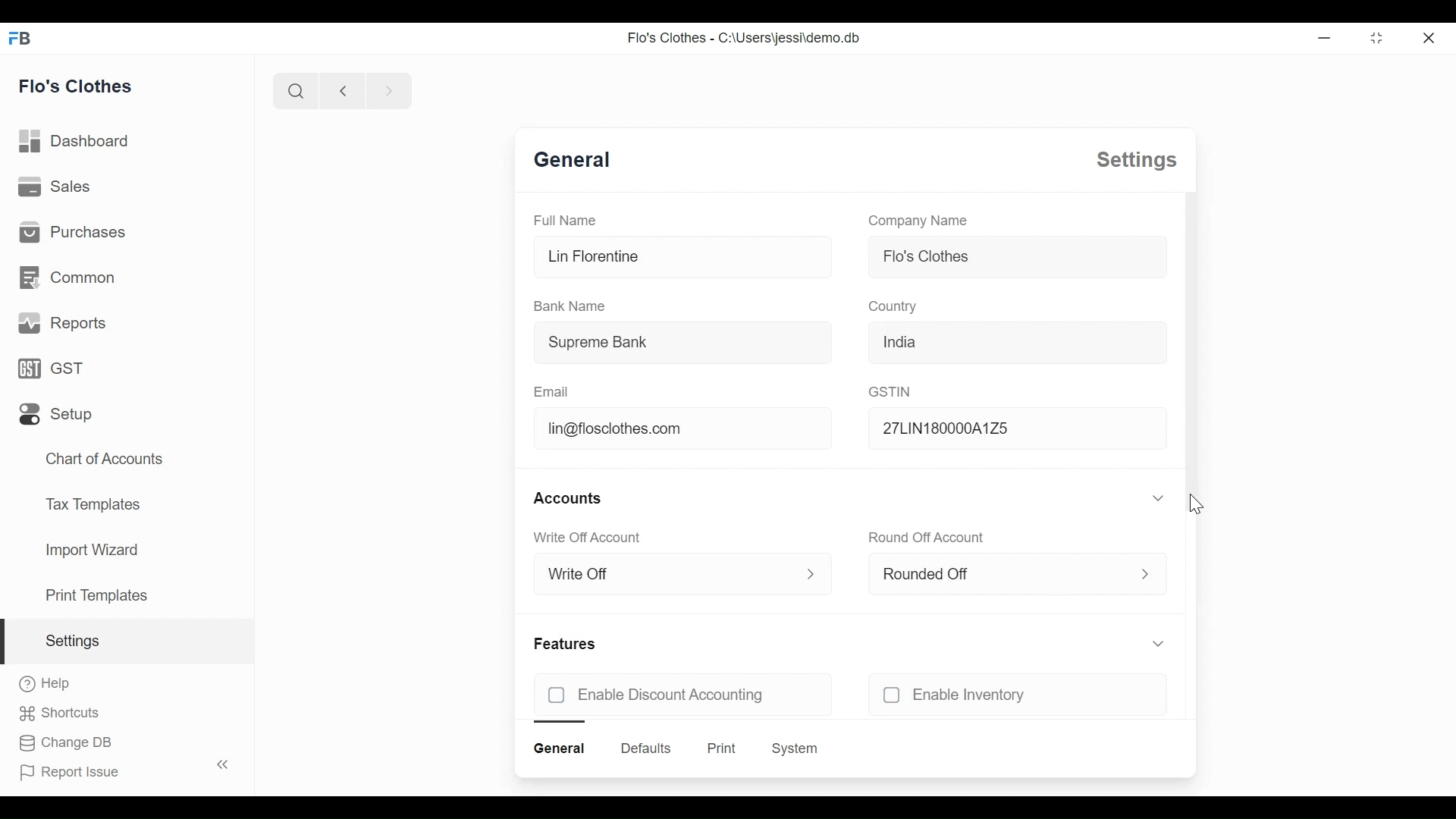 The height and width of the screenshot is (819, 1456). What do you see at coordinates (1013, 256) in the screenshot?
I see `Flo's Clothes` at bounding box center [1013, 256].